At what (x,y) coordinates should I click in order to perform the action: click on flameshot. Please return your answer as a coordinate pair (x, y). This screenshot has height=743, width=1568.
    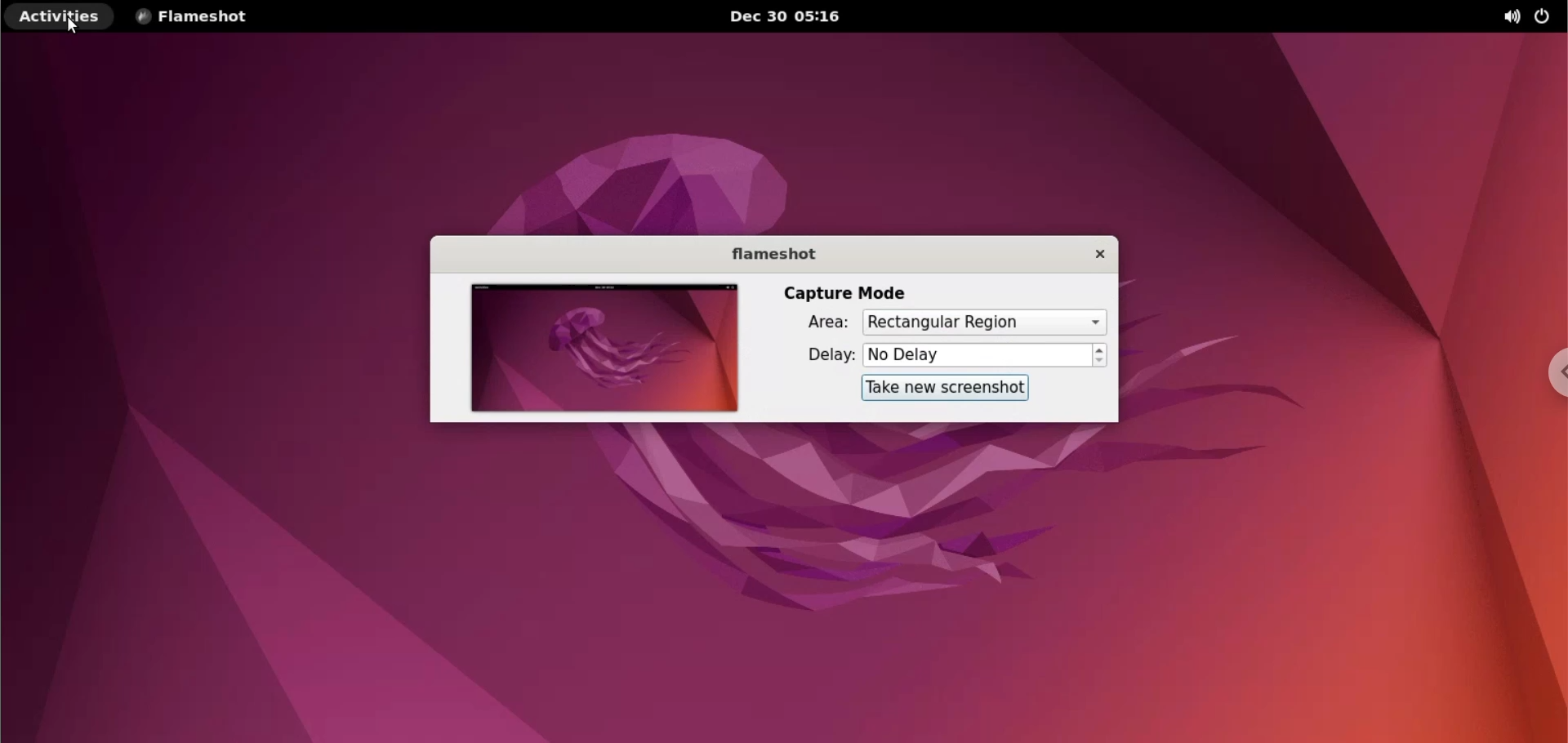
    Looking at the image, I should click on (773, 256).